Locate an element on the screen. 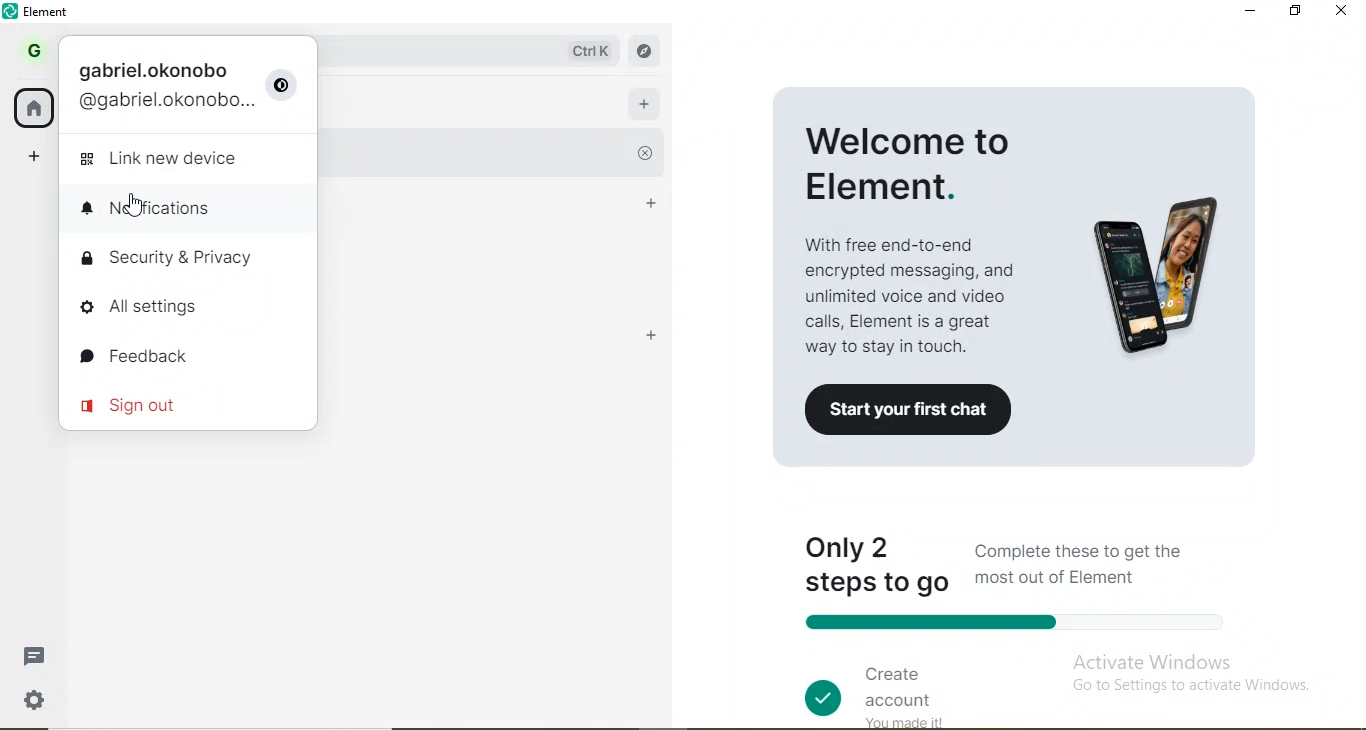 Image resolution: width=1366 pixels, height=730 pixels. only 2 steps to go is located at coordinates (1019, 581).